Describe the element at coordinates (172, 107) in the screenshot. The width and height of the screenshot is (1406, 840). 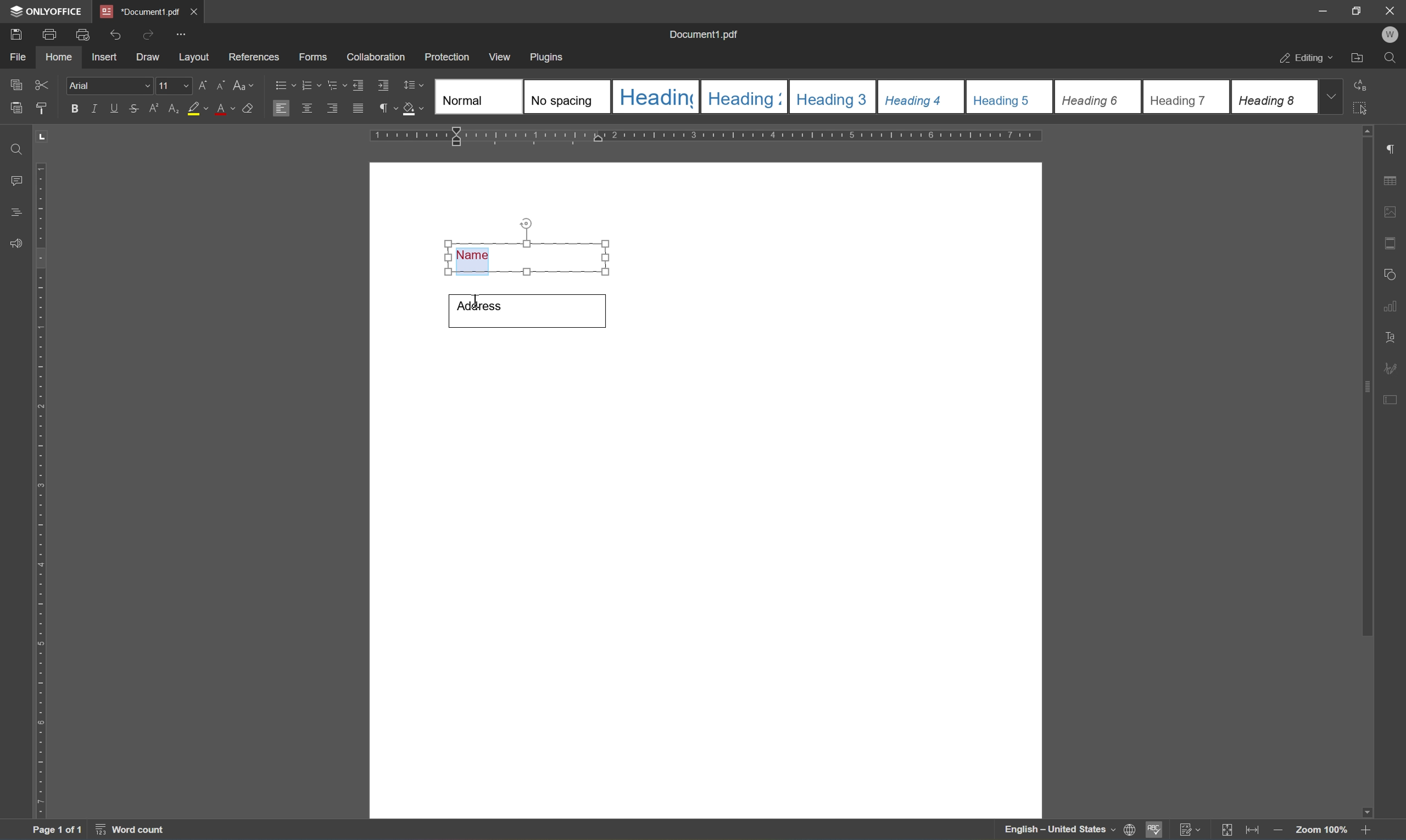
I see `subscript` at that location.